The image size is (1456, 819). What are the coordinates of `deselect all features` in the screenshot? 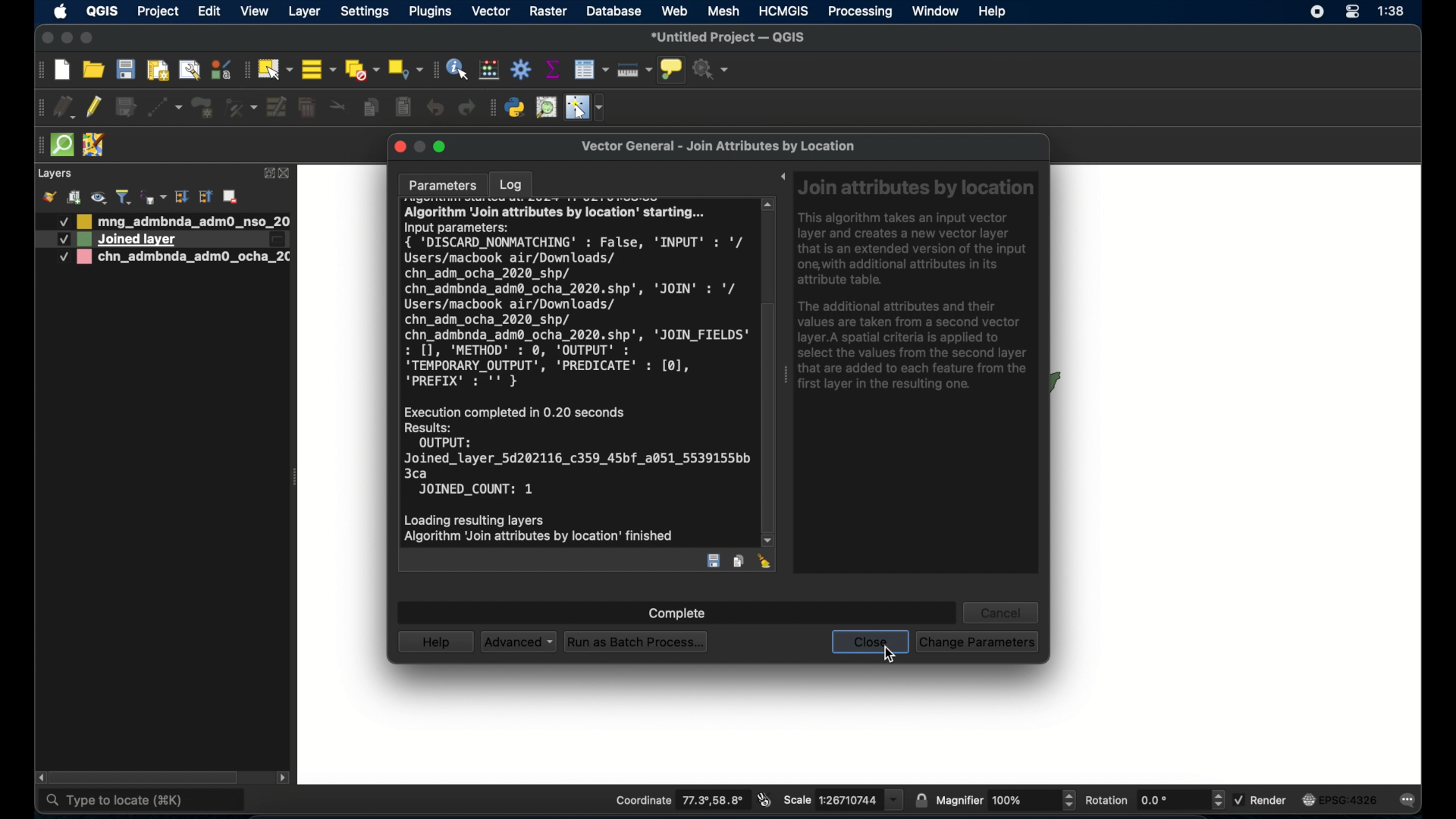 It's located at (360, 70).